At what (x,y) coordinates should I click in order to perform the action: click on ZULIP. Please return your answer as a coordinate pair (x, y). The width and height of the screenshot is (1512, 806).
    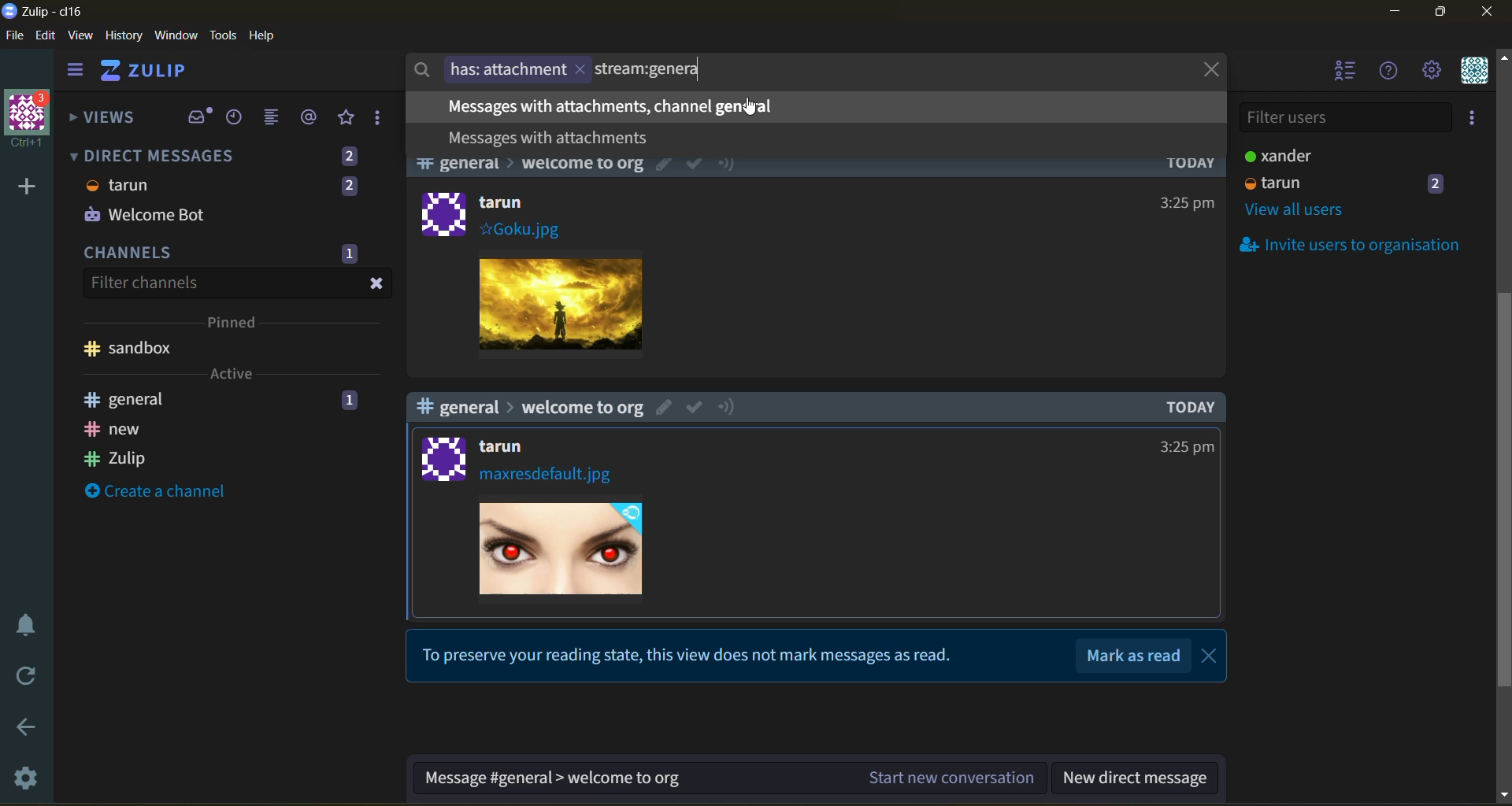
    Looking at the image, I should click on (146, 70).